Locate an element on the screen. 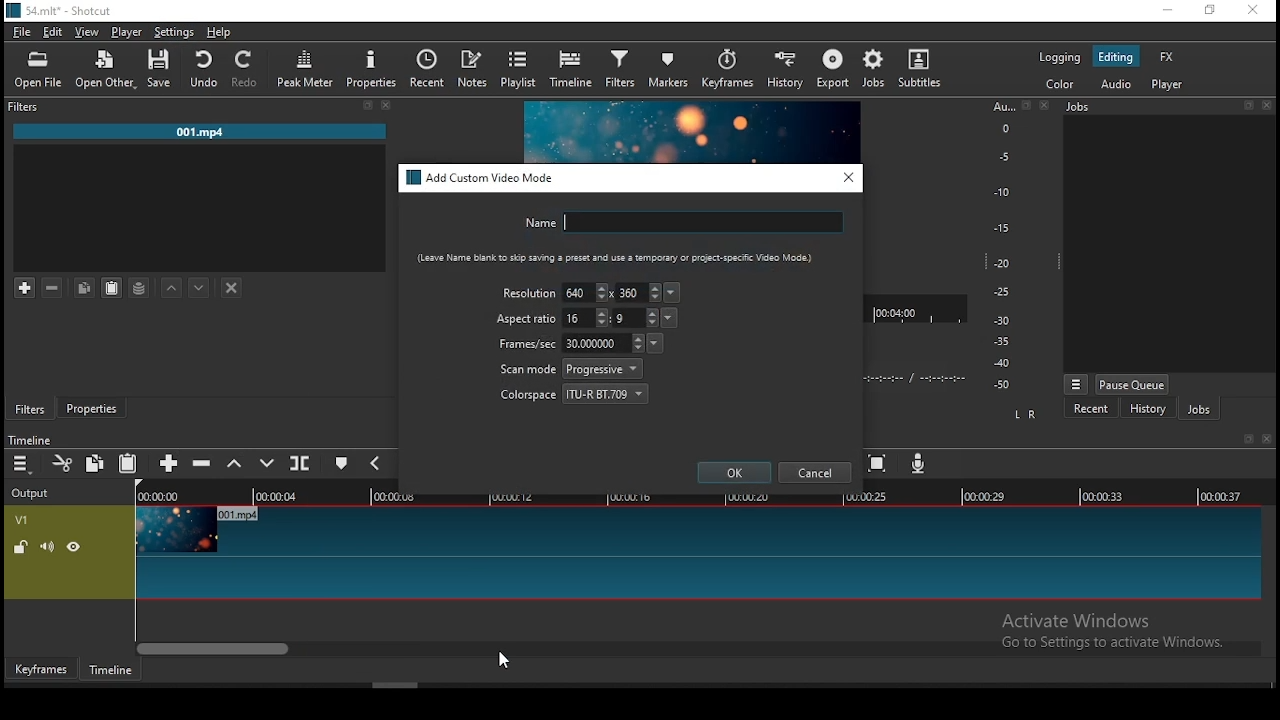  overwrite is located at coordinates (269, 463).